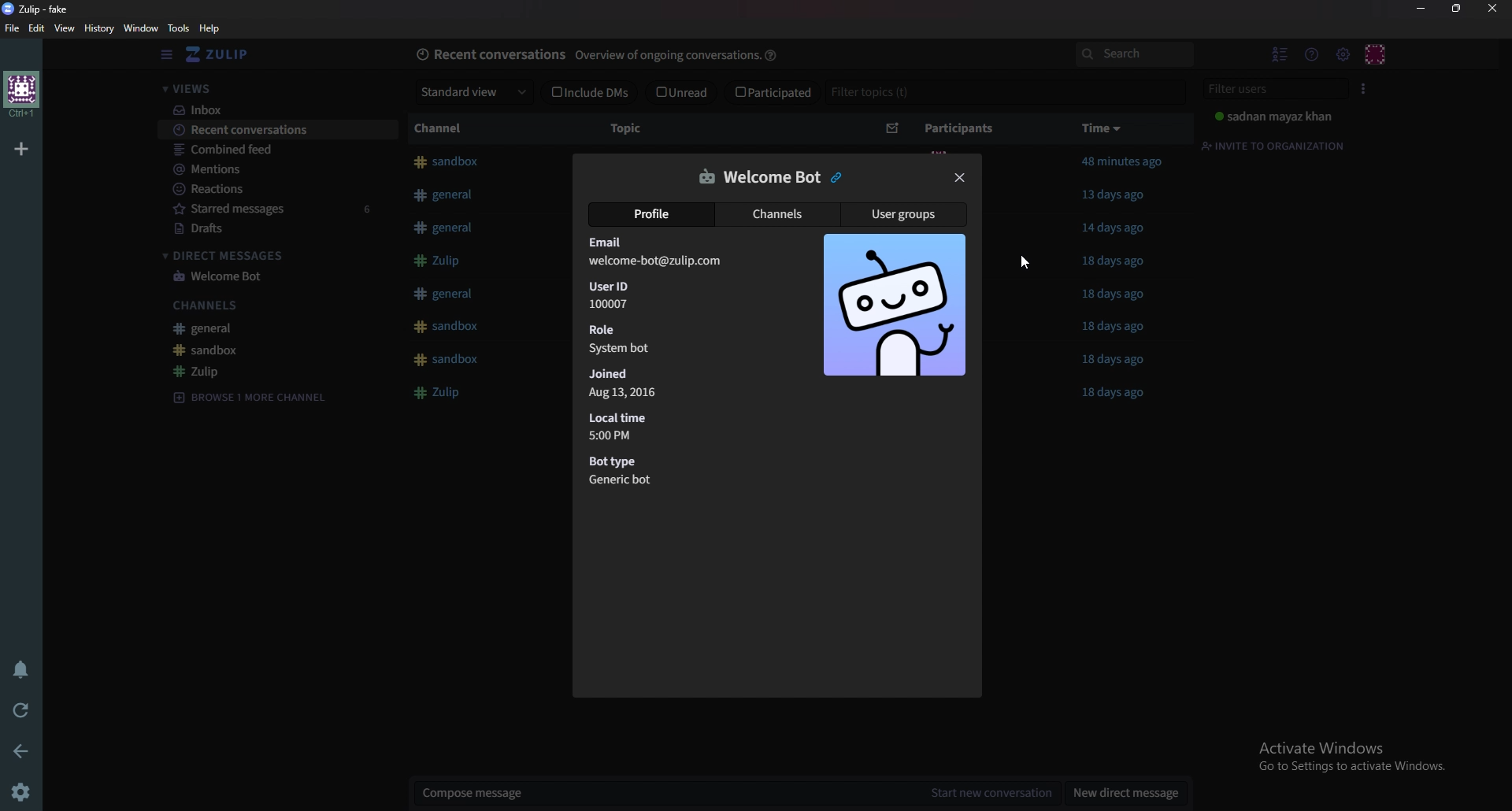  I want to click on Participated, so click(770, 93).